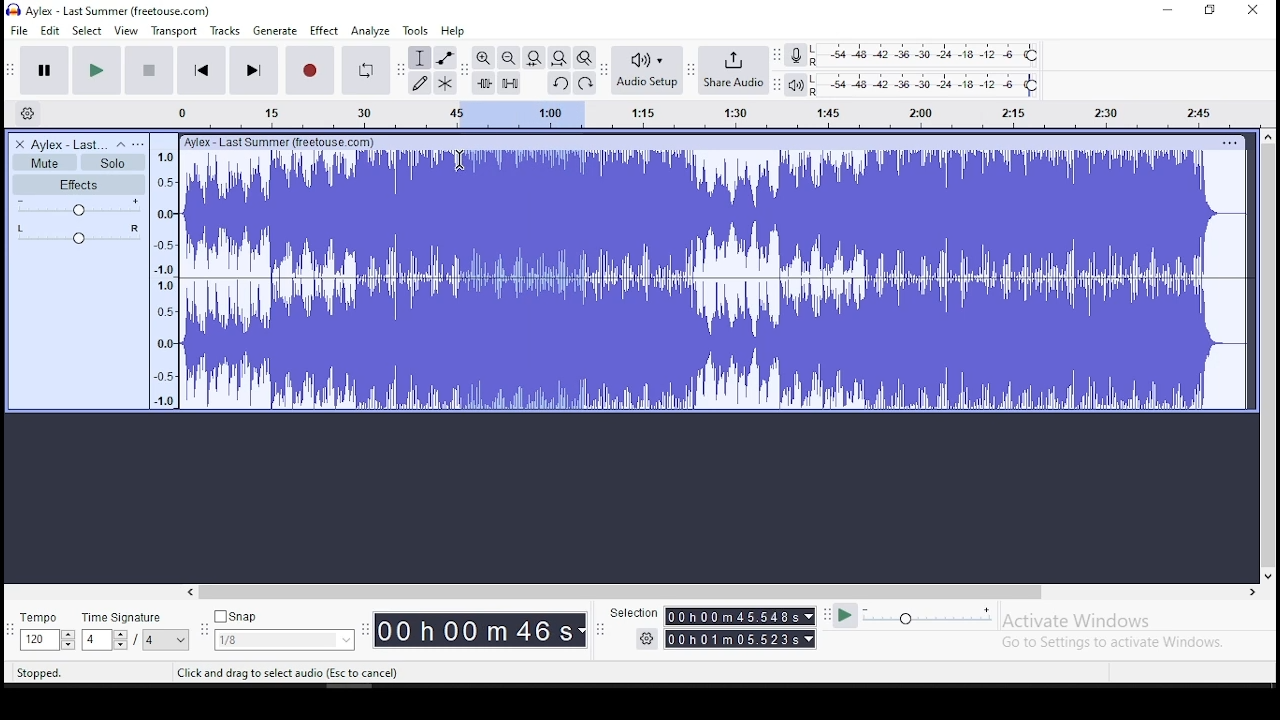 This screenshot has width=1280, height=720. What do you see at coordinates (149, 70) in the screenshot?
I see `stop` at bounding box center [149, 70].